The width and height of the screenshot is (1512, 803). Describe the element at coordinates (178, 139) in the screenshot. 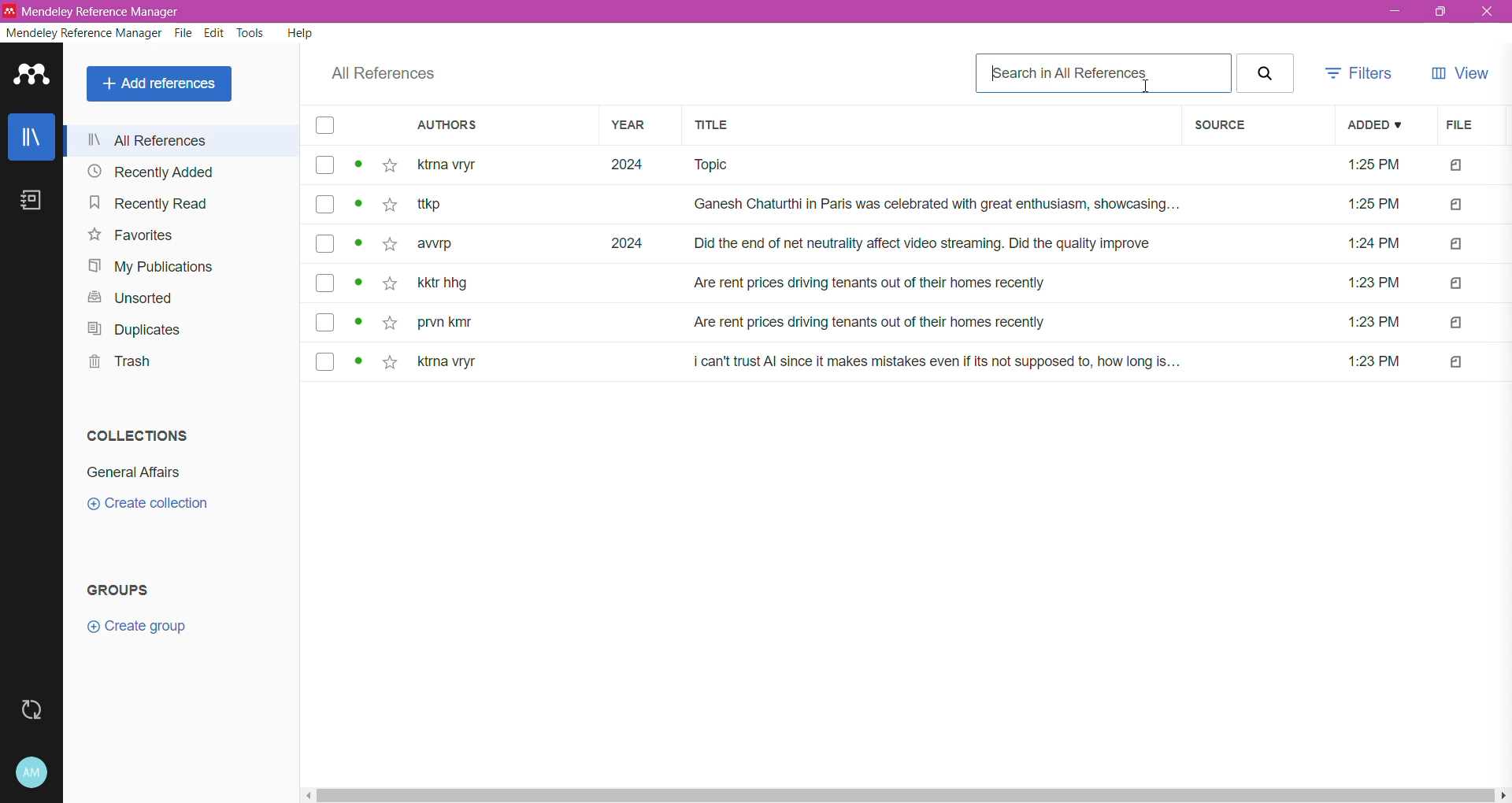

I see `All References` at that location.